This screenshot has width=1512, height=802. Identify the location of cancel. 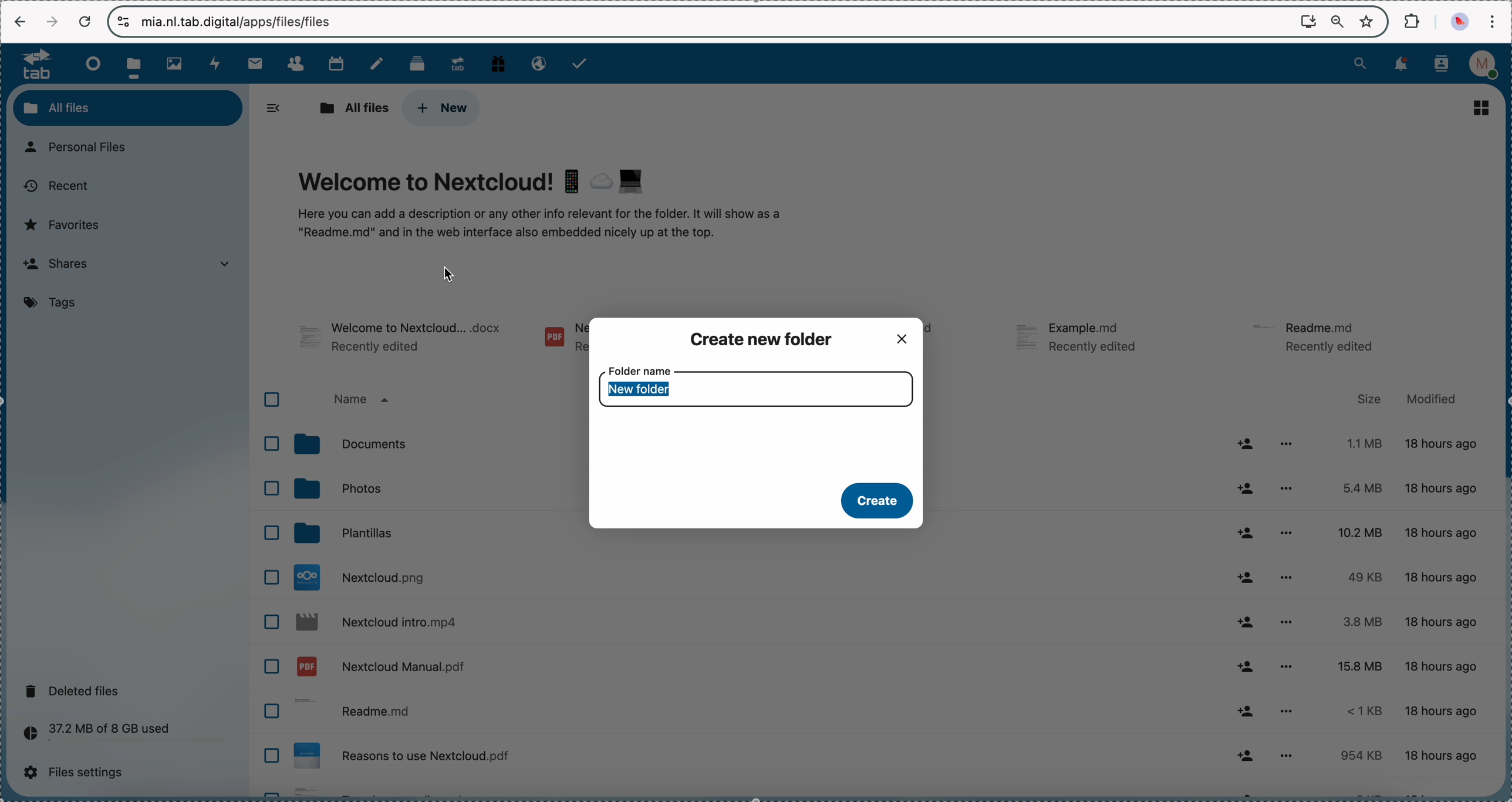
(84, 22).